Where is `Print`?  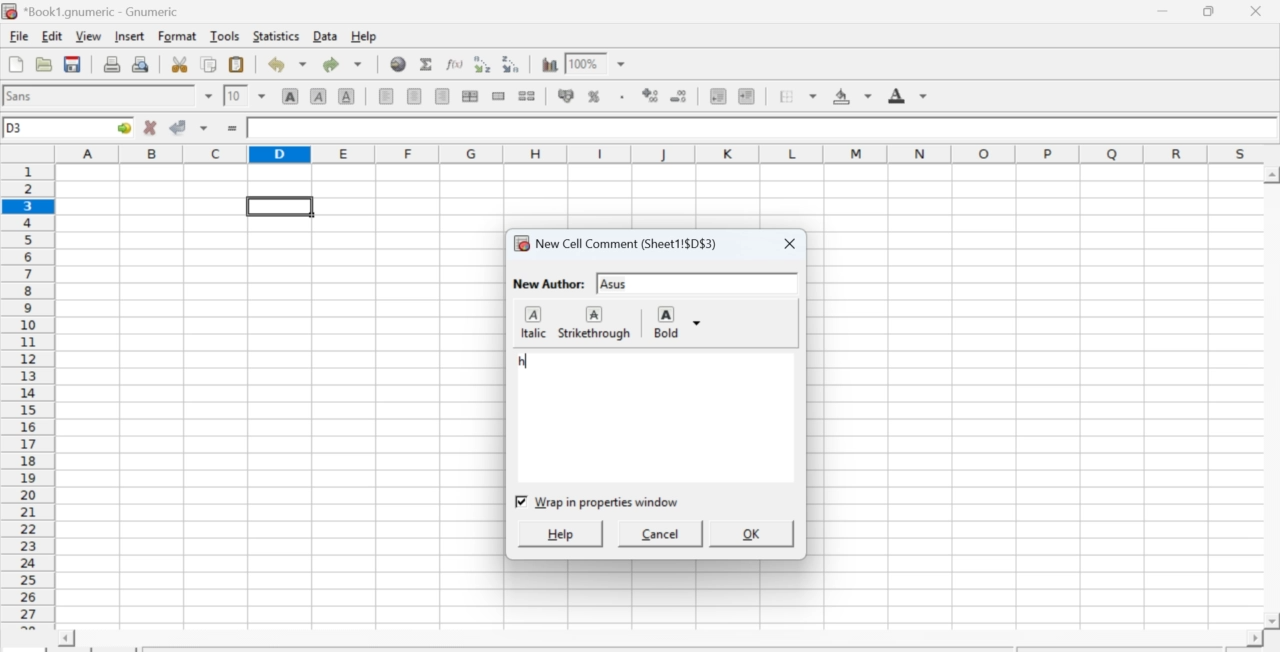 Print is located at coordinates (110, 64).